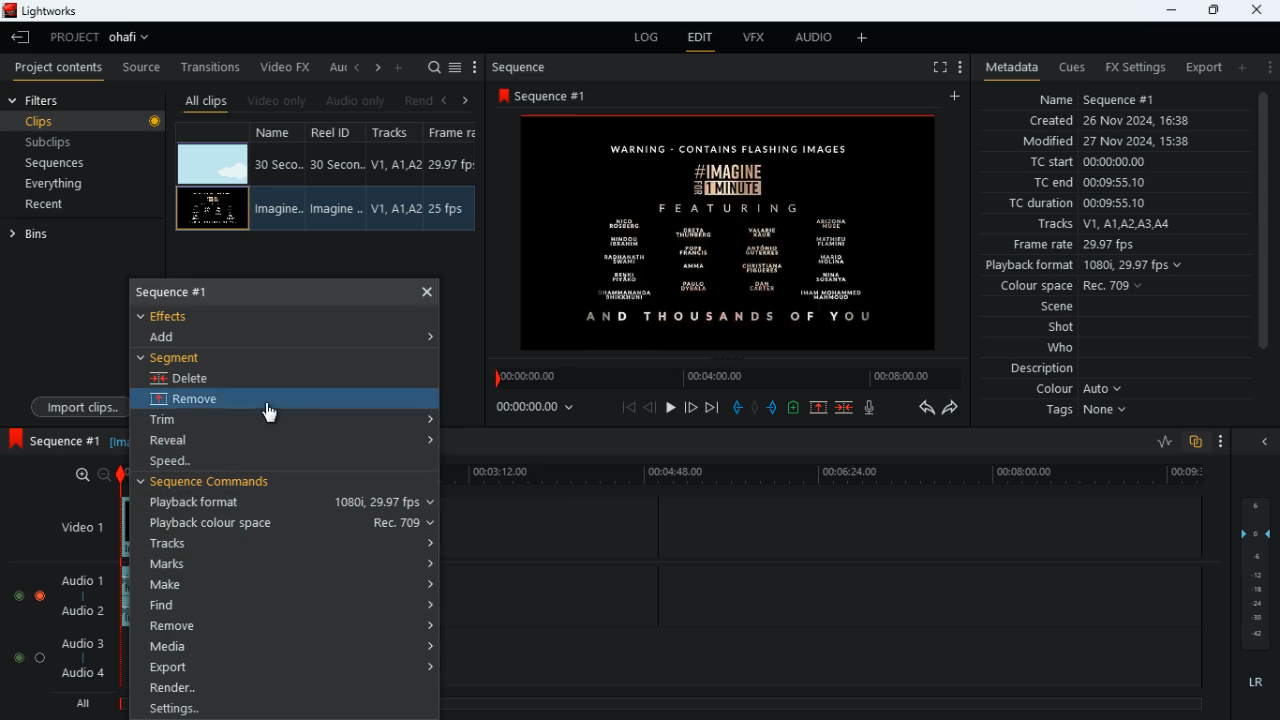 The image size is (1280, 720). I want to click on search, so click(435, 65).